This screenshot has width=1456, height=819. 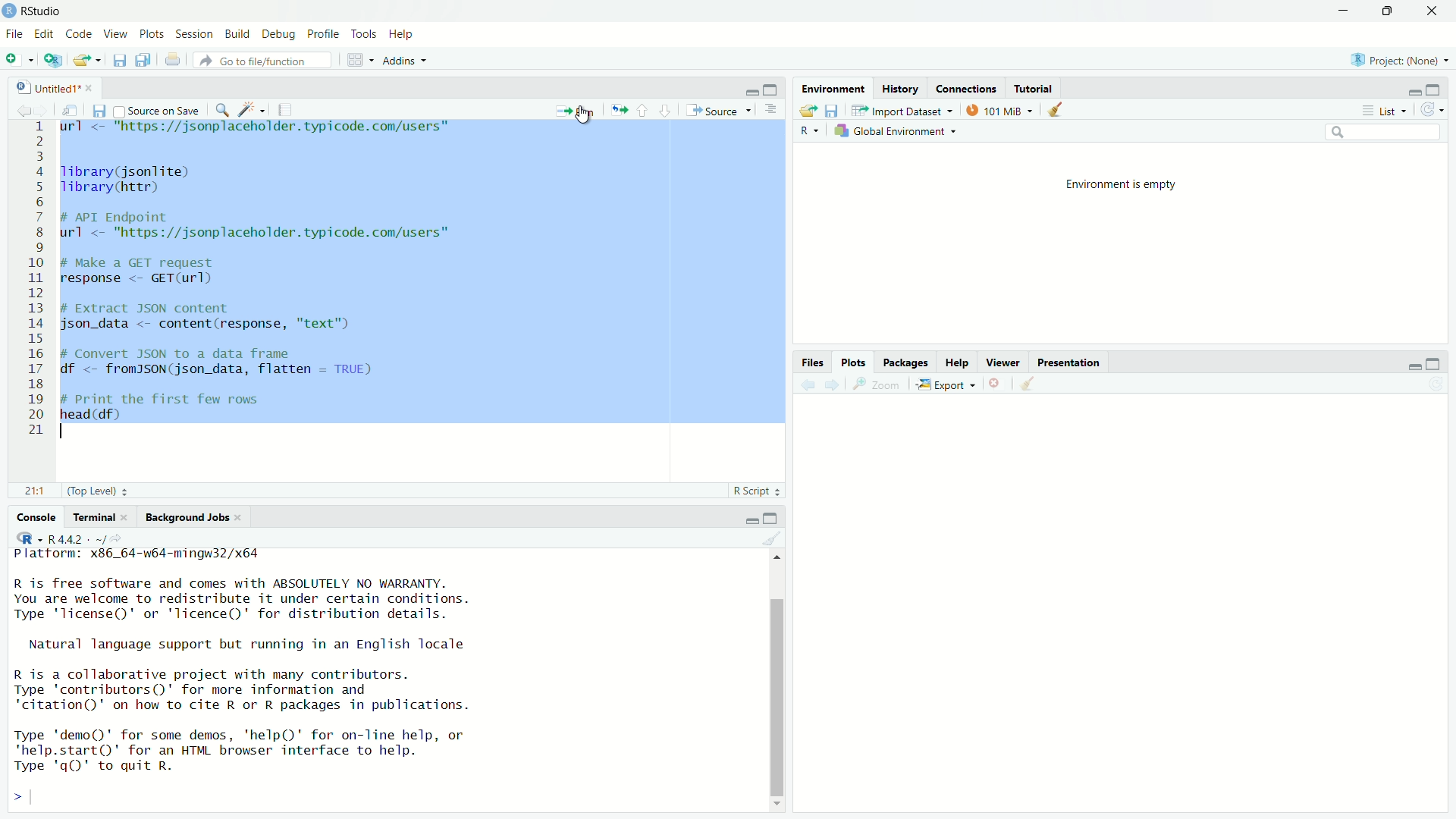 I want to click on Type 'demo()' for some demos, 'help()' for on-line help, or
'help.start()"' for an HTML browser interface to help.
Type 'qQ)' to quit R., so click(x=240, y=753).